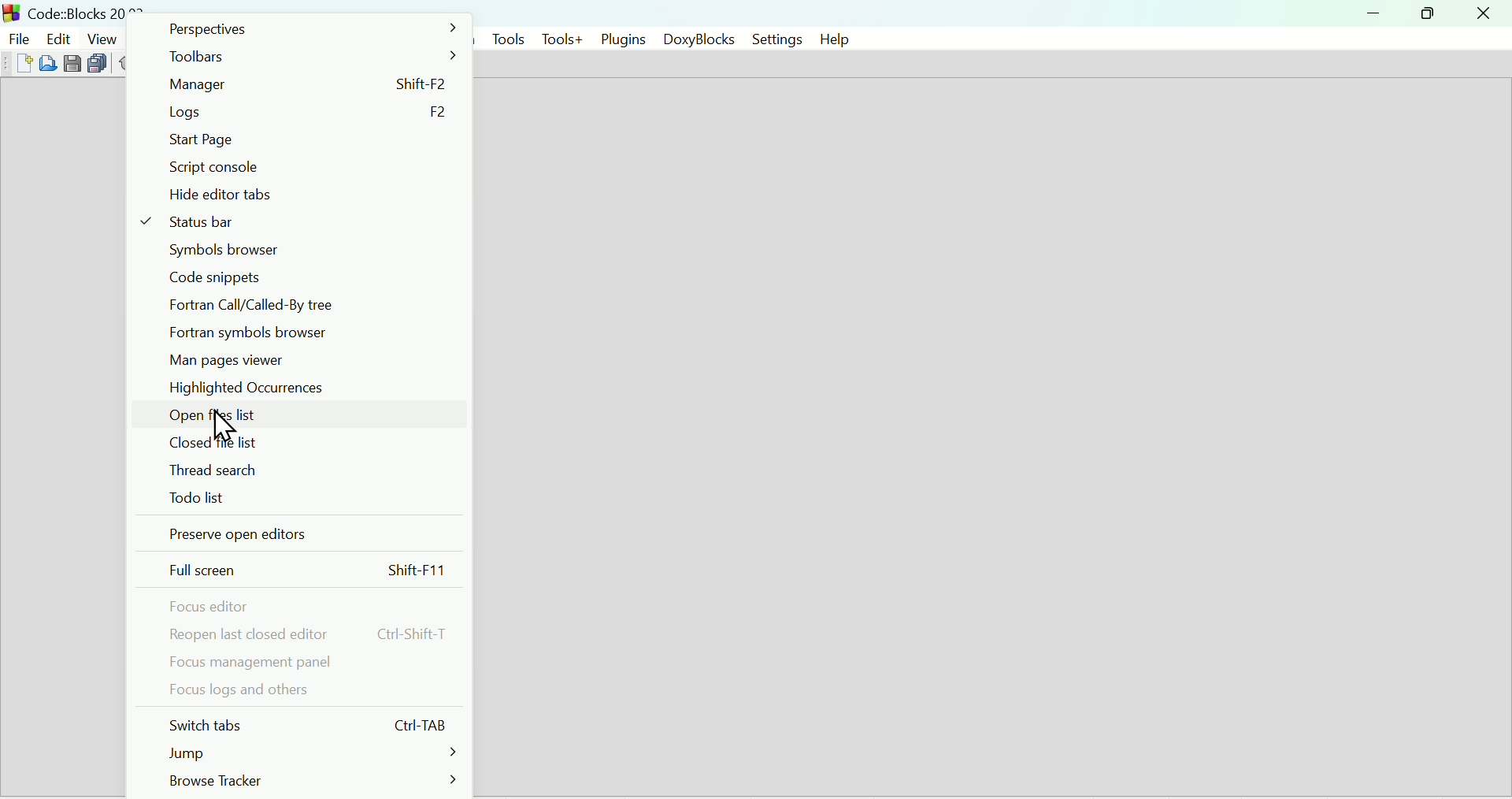  Describe the element at coordinates (770, 39) in the screenshot. I see ` Settings` at that location.